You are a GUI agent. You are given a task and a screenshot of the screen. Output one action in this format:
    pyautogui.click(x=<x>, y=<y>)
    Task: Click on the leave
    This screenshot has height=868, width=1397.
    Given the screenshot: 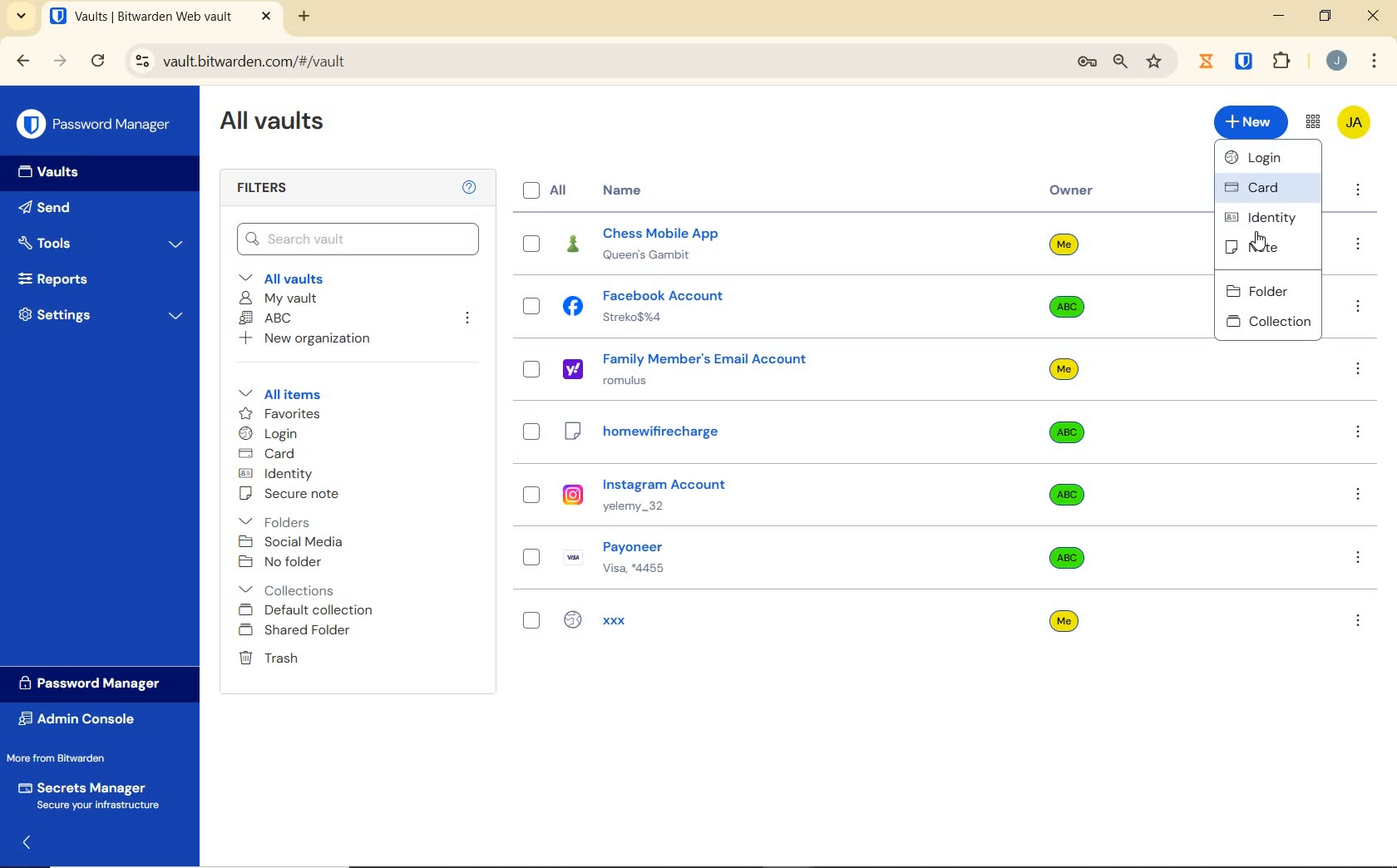 What is the action you would take?
    pyautogui.click(x=467, y=318)
    